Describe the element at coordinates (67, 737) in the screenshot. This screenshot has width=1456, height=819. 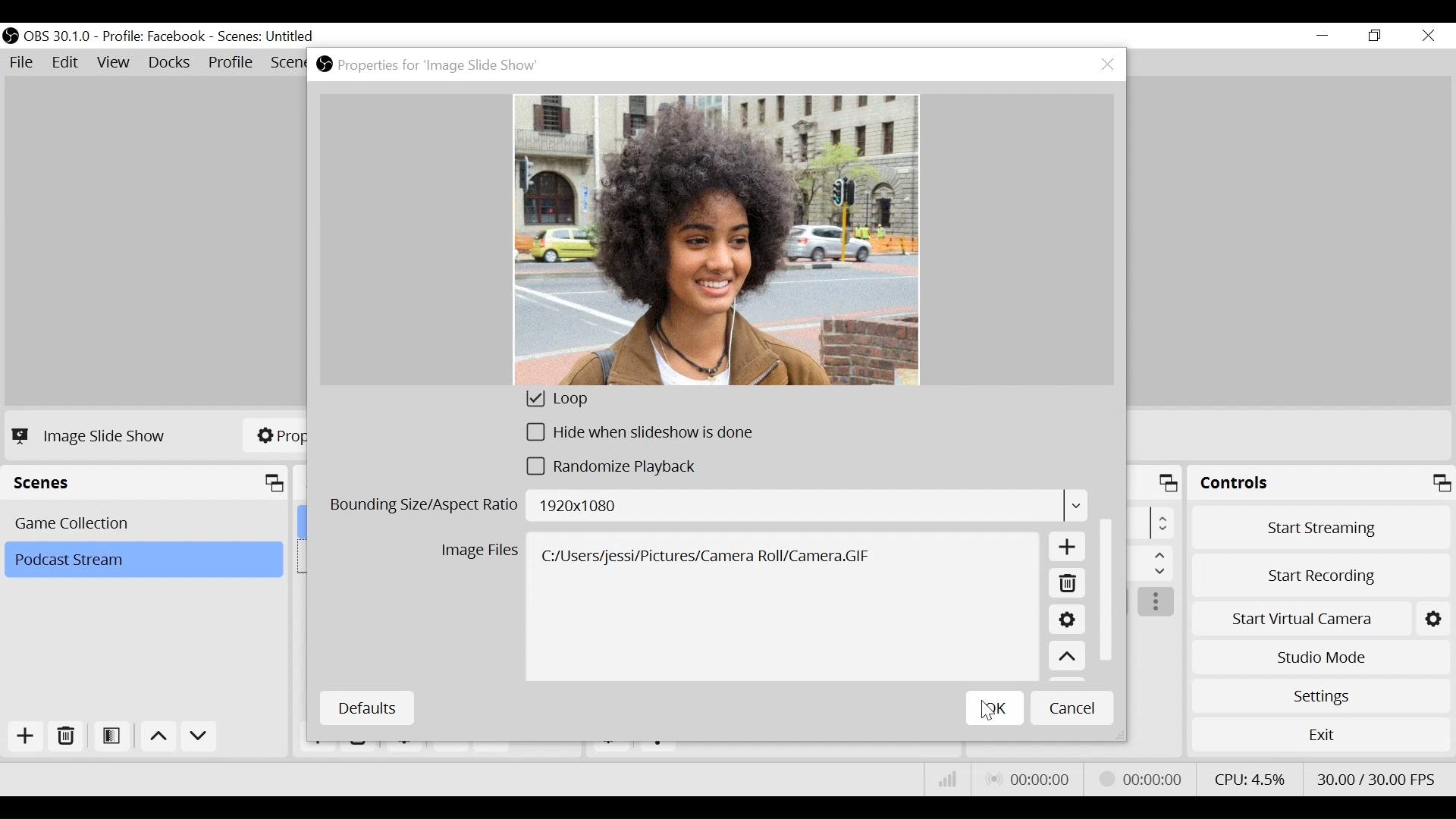
I see `Remove` at that location.